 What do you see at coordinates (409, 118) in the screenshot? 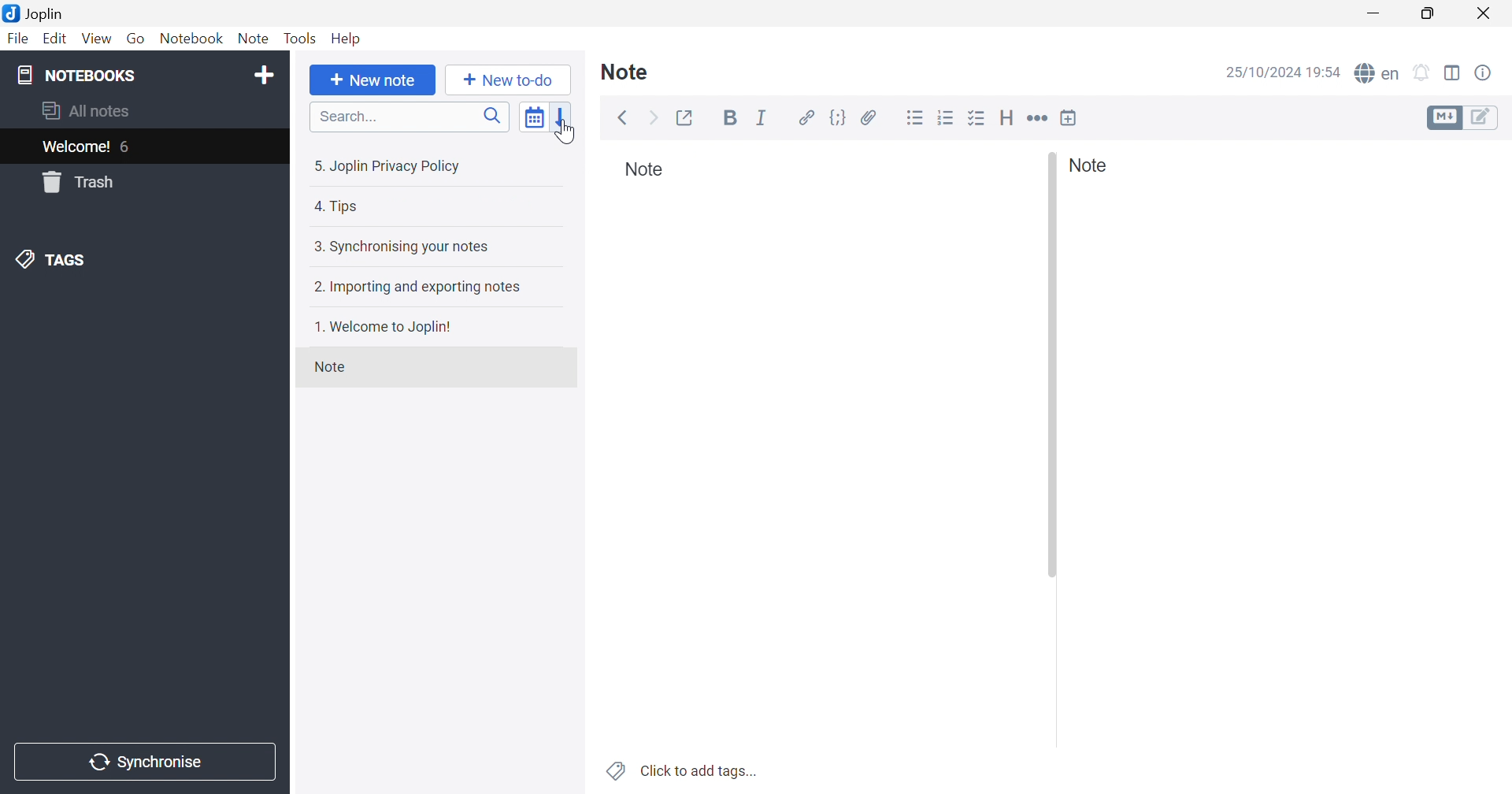
I see `Search bar` at bounding box center [409, 118].